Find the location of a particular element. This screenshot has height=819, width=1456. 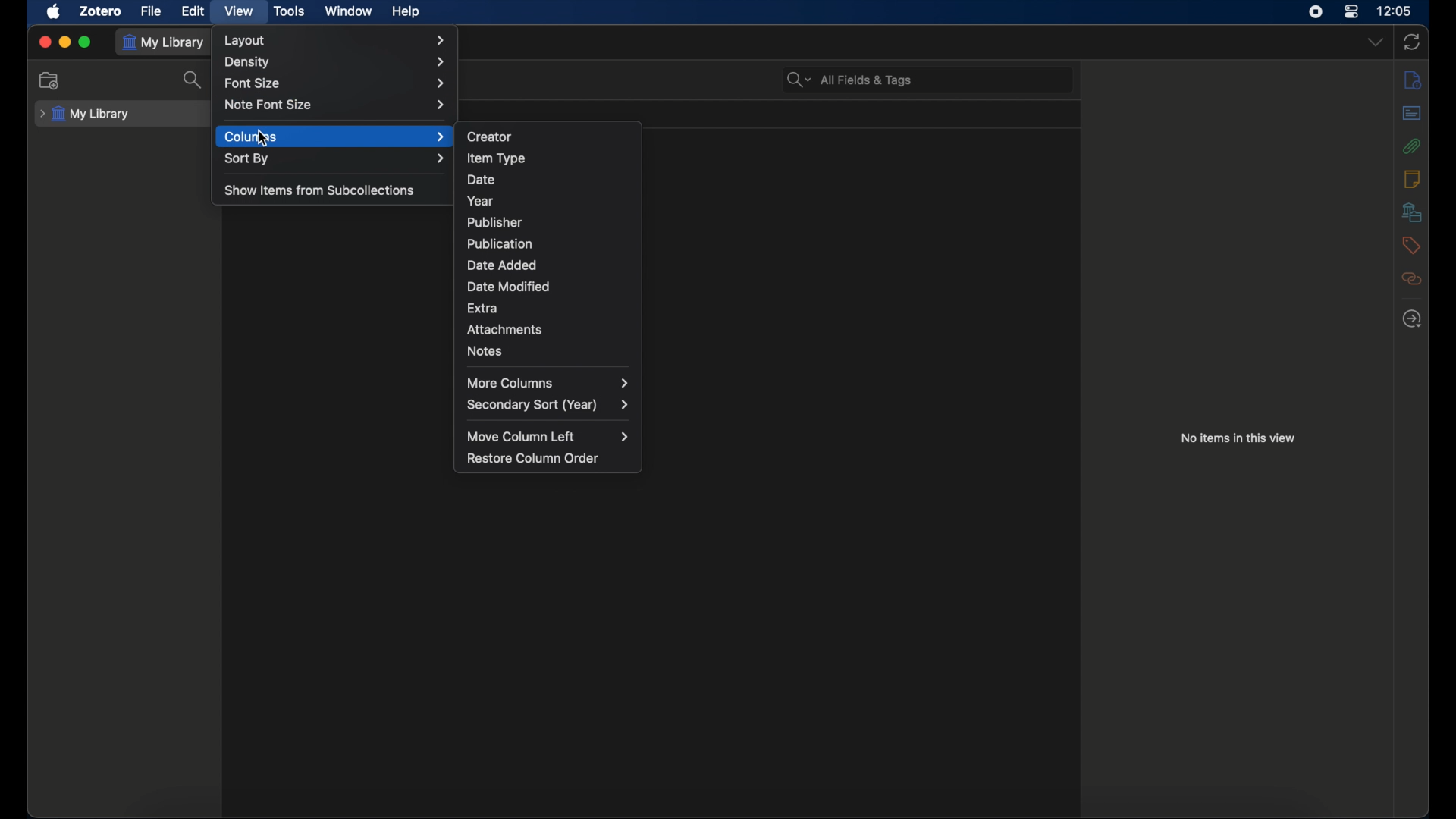

creator is located at coordinates (491, 136).